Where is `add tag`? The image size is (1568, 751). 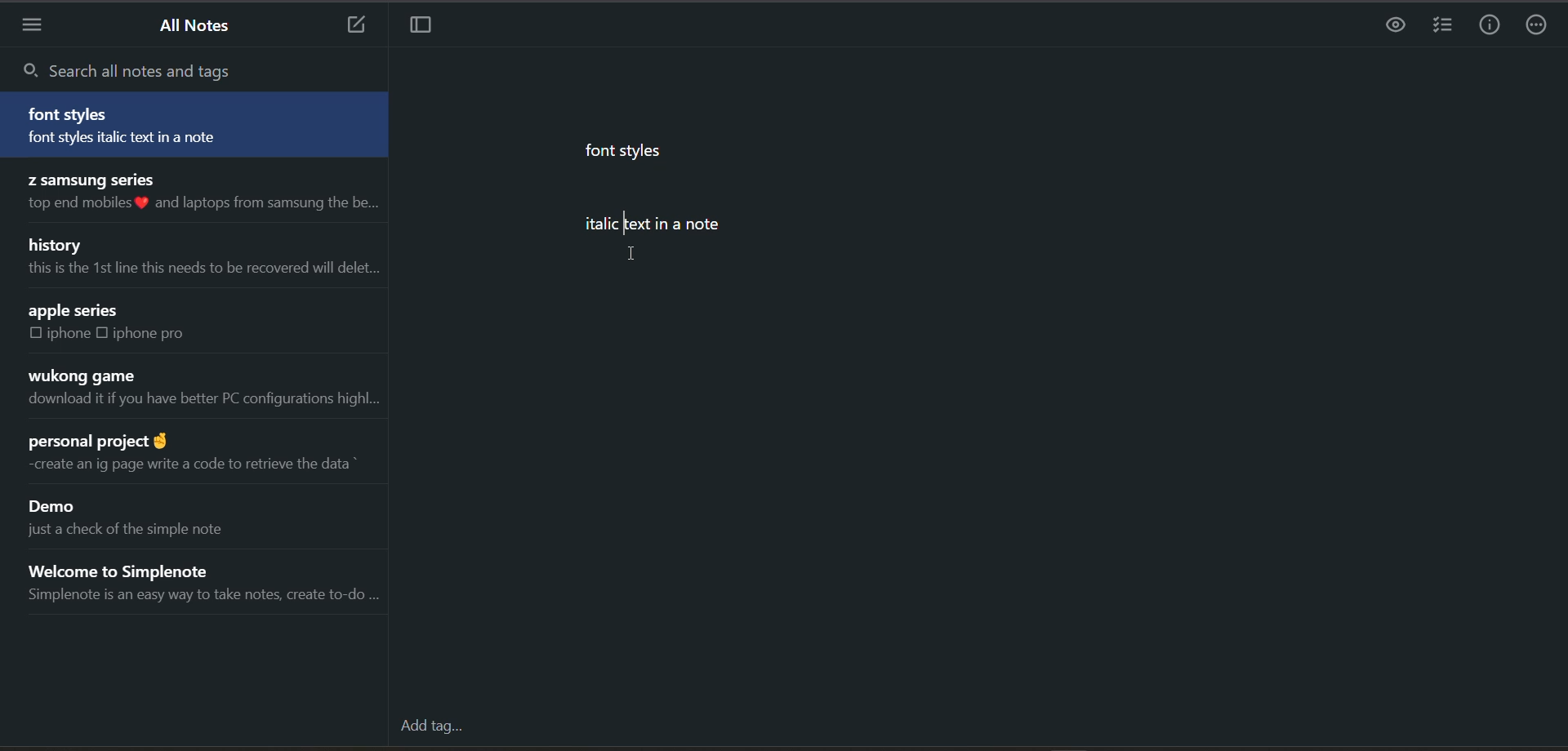
add tag is located at coordinates (434, 725).